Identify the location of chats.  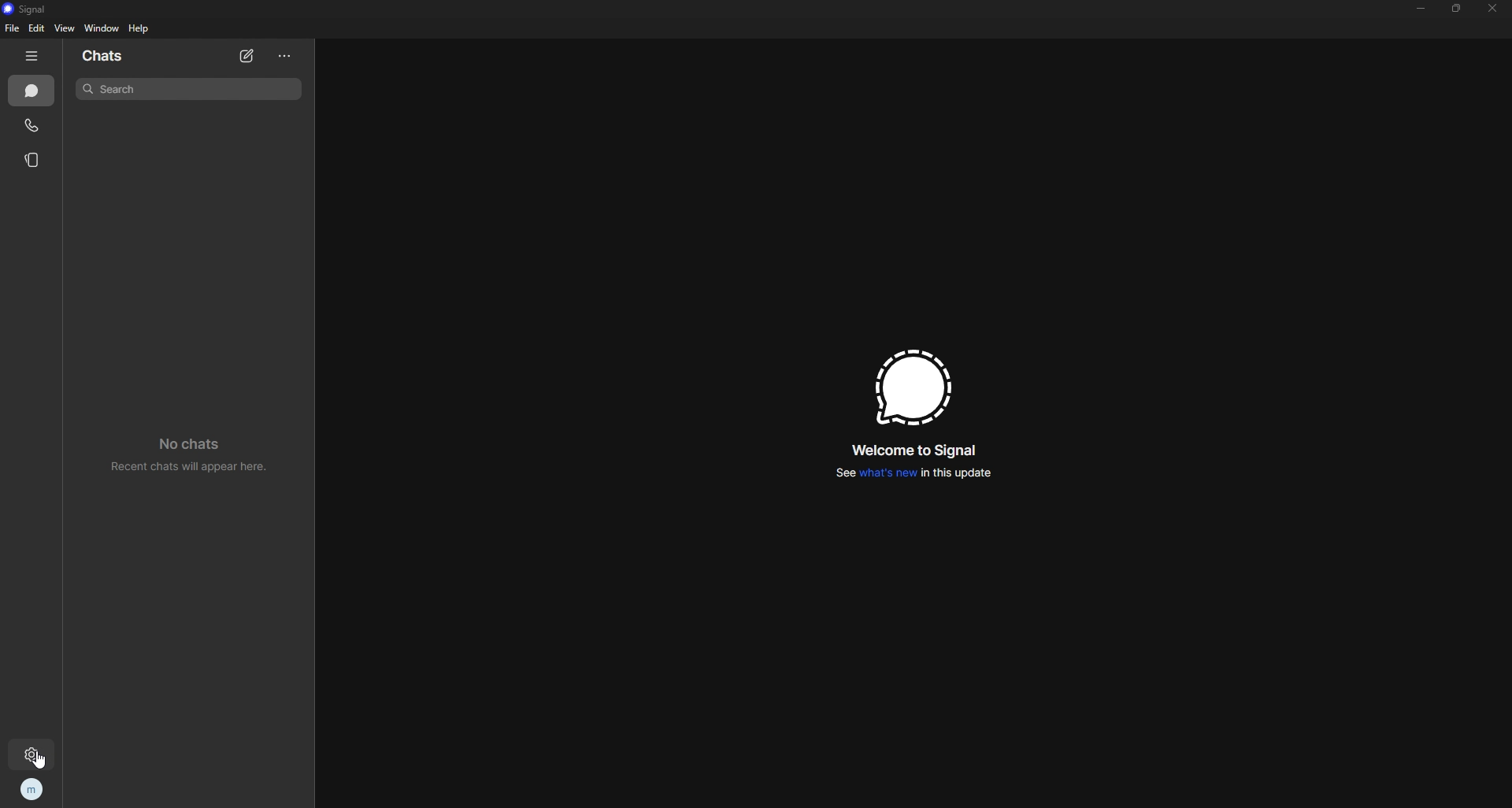
(32, 91).